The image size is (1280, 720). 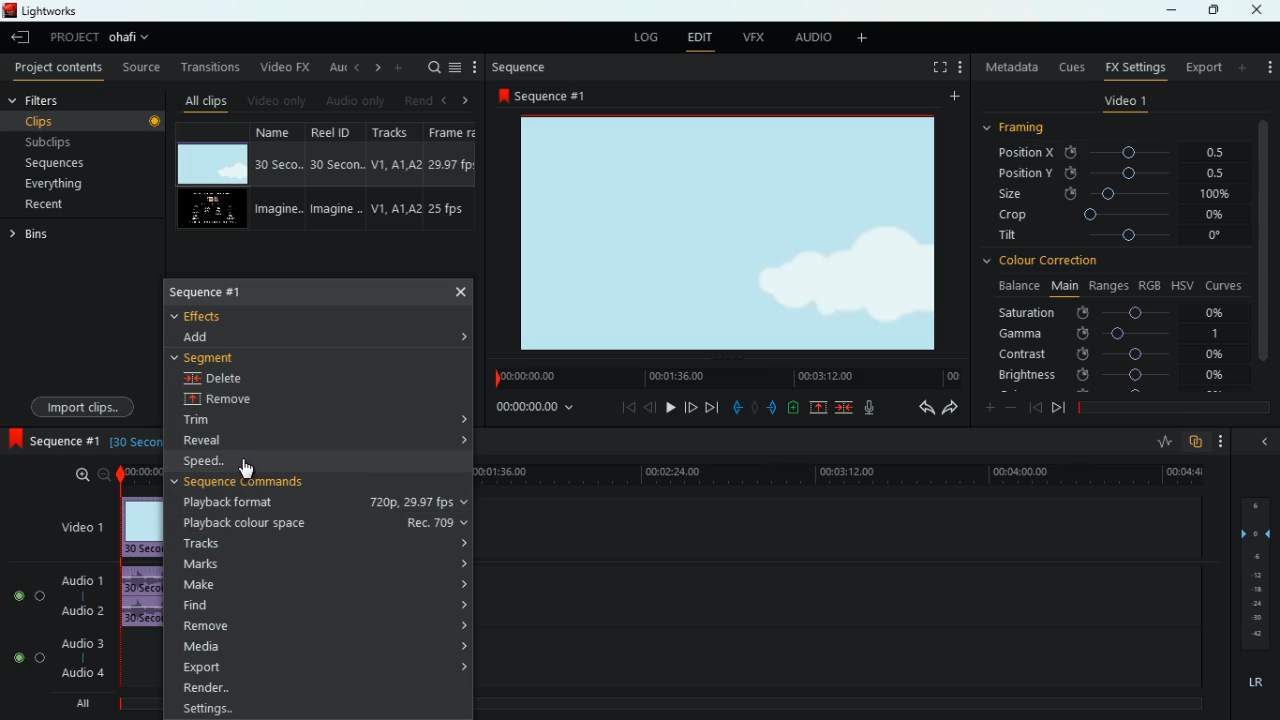 What do you see at coordinates (390, 177) in the screenshot?
I see `tracks` at bounding box center [390, 177].